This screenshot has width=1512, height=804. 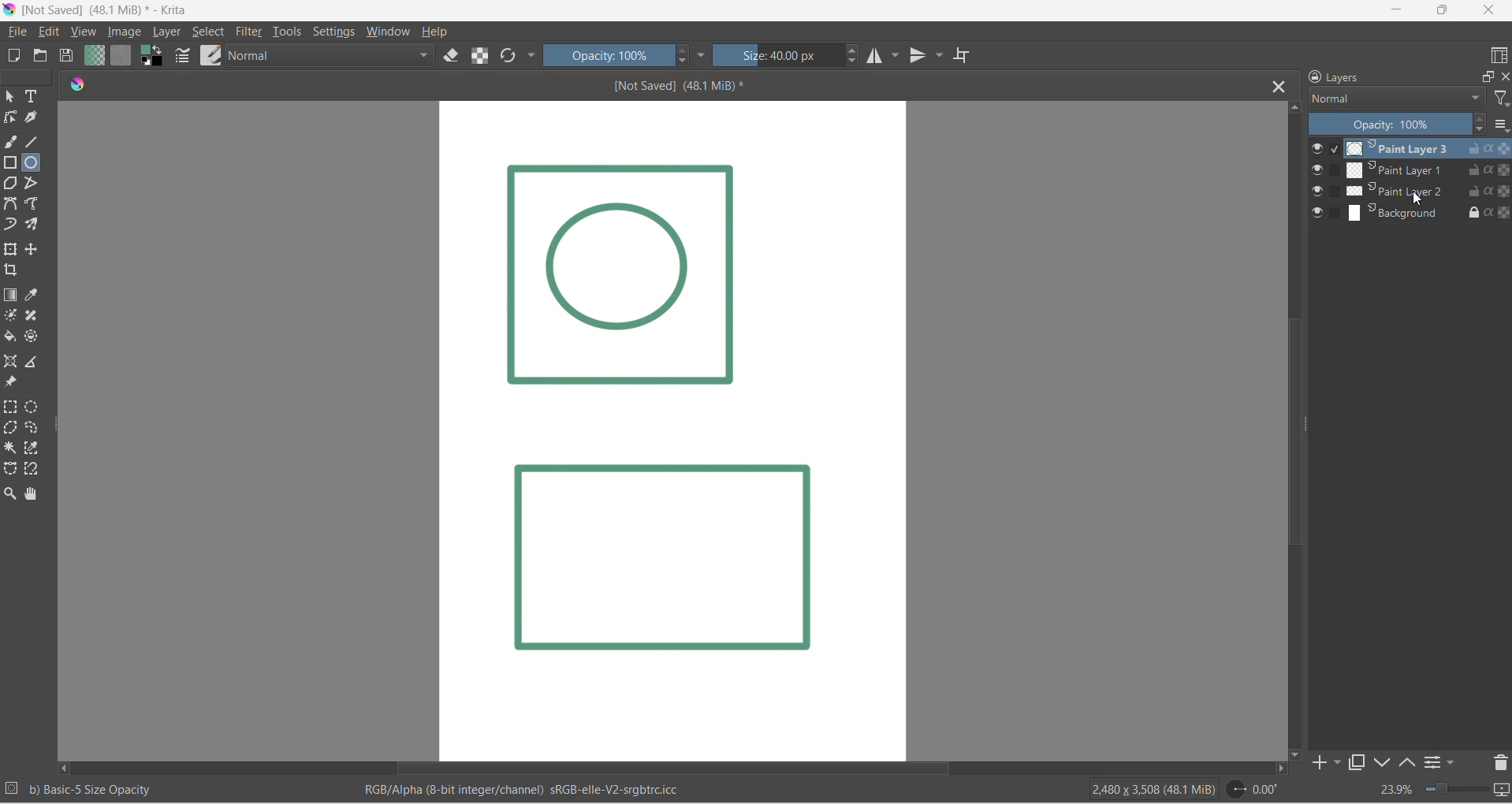 I want to click on window, so click(x=390, y=32).